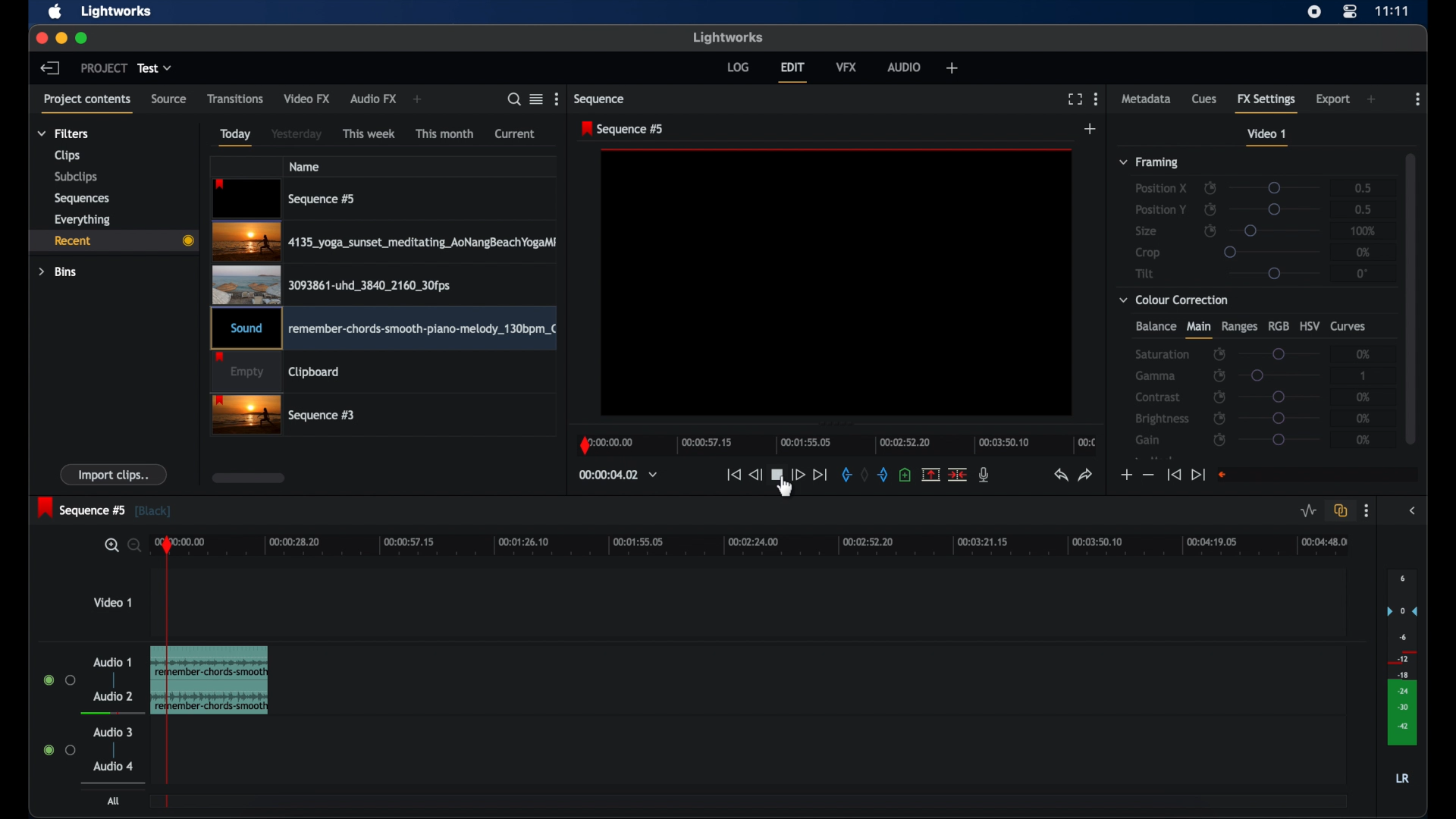 This screenshot has width=1456, height=819. I want to click on sequence 5, so click(105, 509).